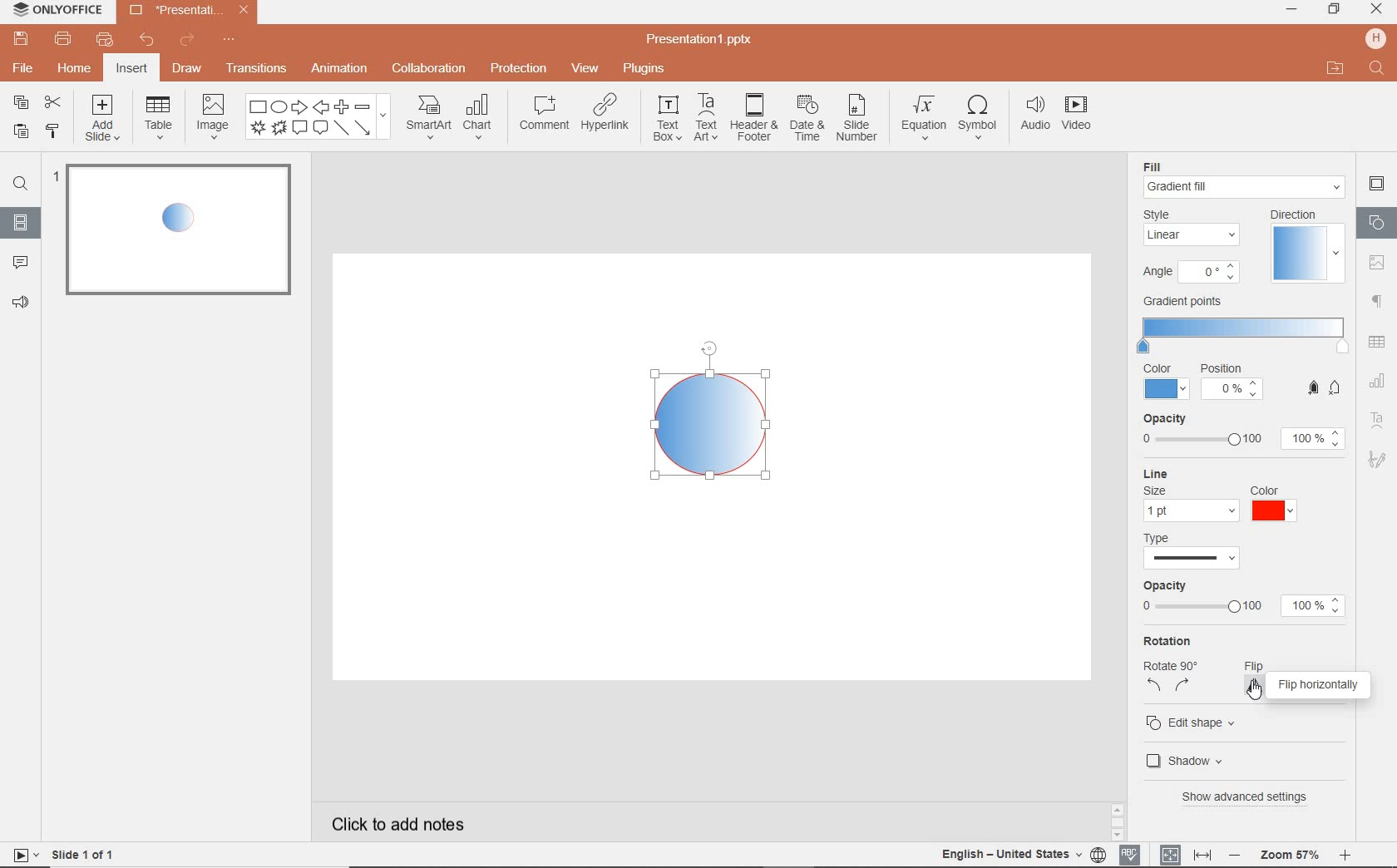  Describe the element at coordinates (22, 855) in the screenshot. I see `start slideshow` at that location.